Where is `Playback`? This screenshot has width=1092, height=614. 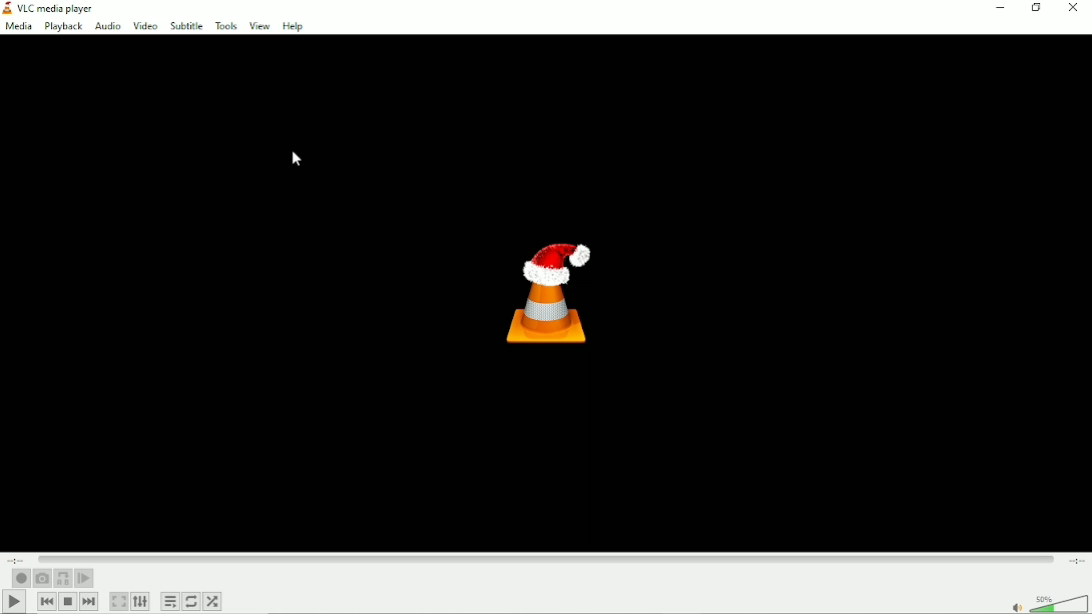
Playback is located at coordinates (63, 27).